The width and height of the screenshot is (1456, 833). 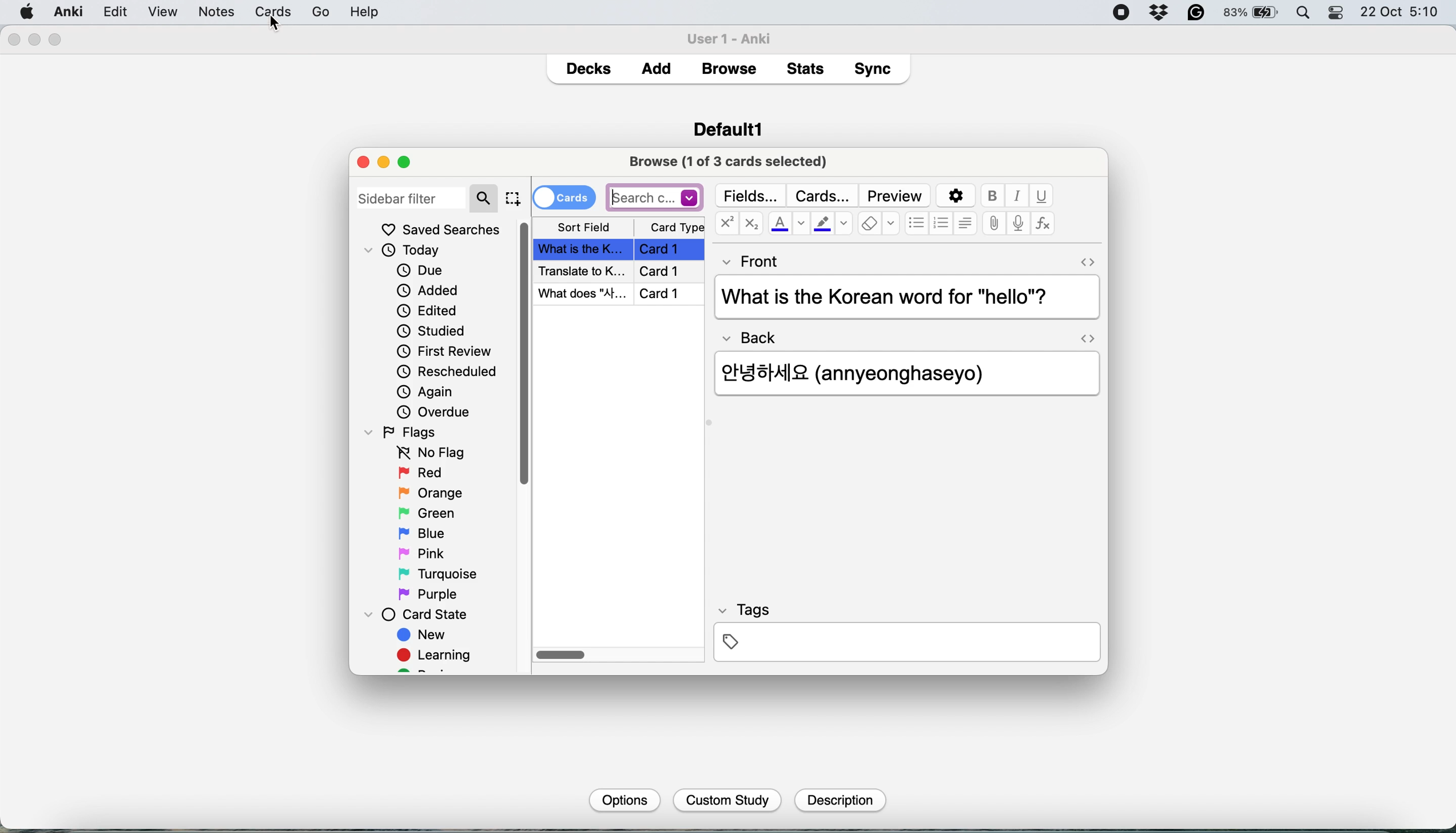 What do you see at coordinates (564, 196) in the screenshot?
I see `cards` at bounding box center [564, 196].